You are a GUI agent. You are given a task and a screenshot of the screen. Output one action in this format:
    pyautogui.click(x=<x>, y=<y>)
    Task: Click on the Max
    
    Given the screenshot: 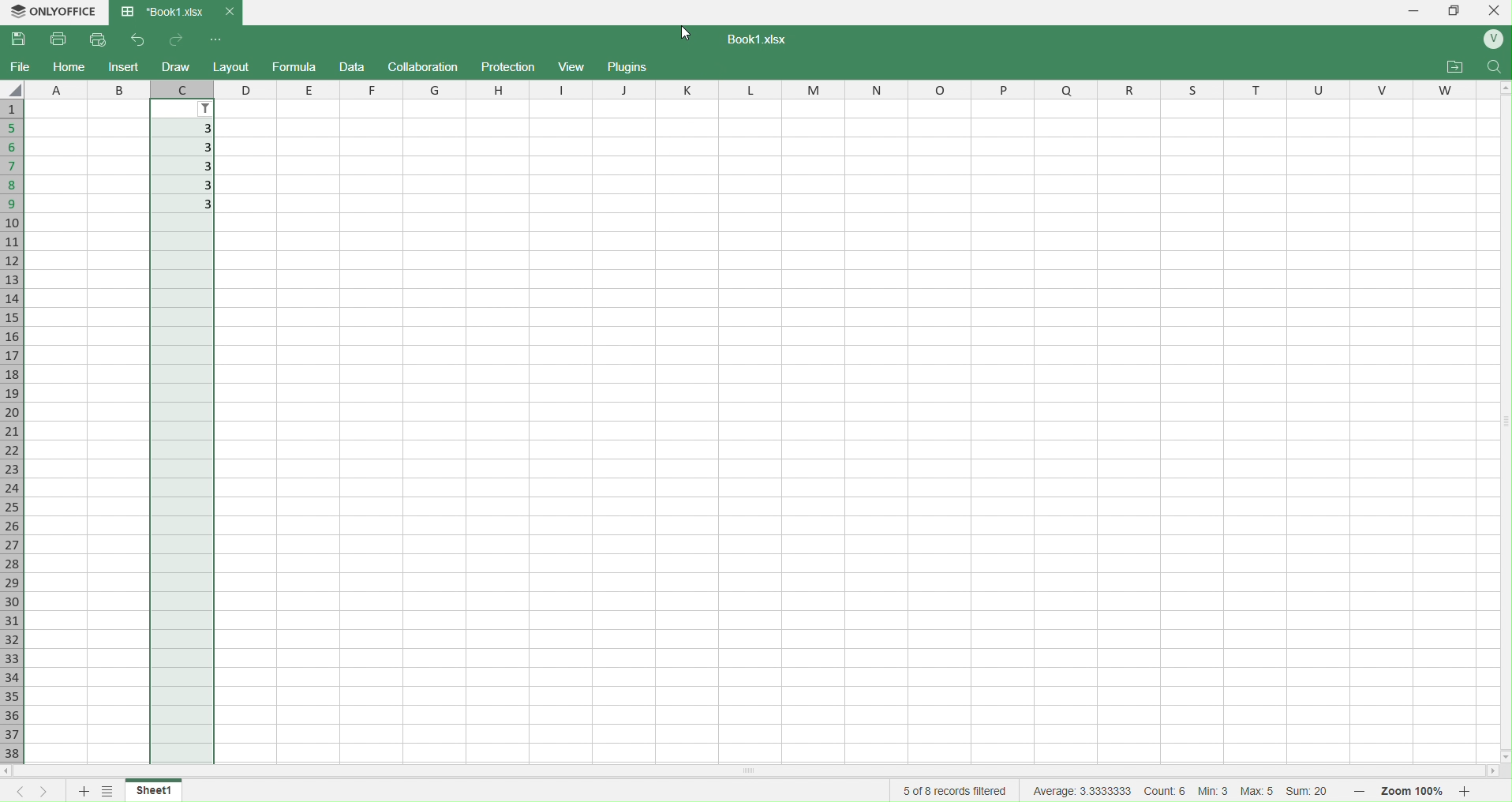 What is the action you would take?
    pyautogui.click(x=1259, y=790)
    